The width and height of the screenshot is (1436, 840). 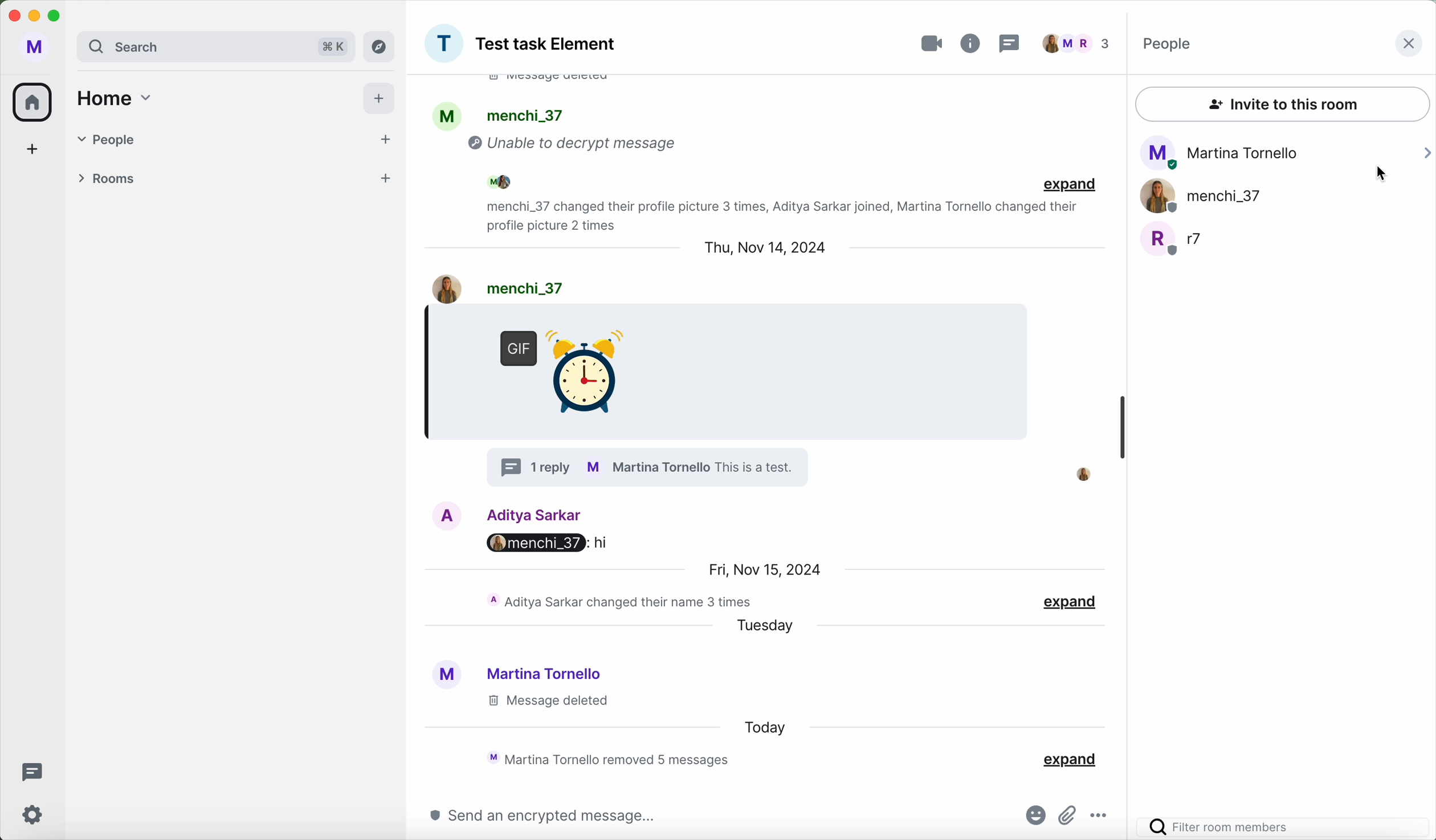 I want to click on profile, so click(x=448, y=115).